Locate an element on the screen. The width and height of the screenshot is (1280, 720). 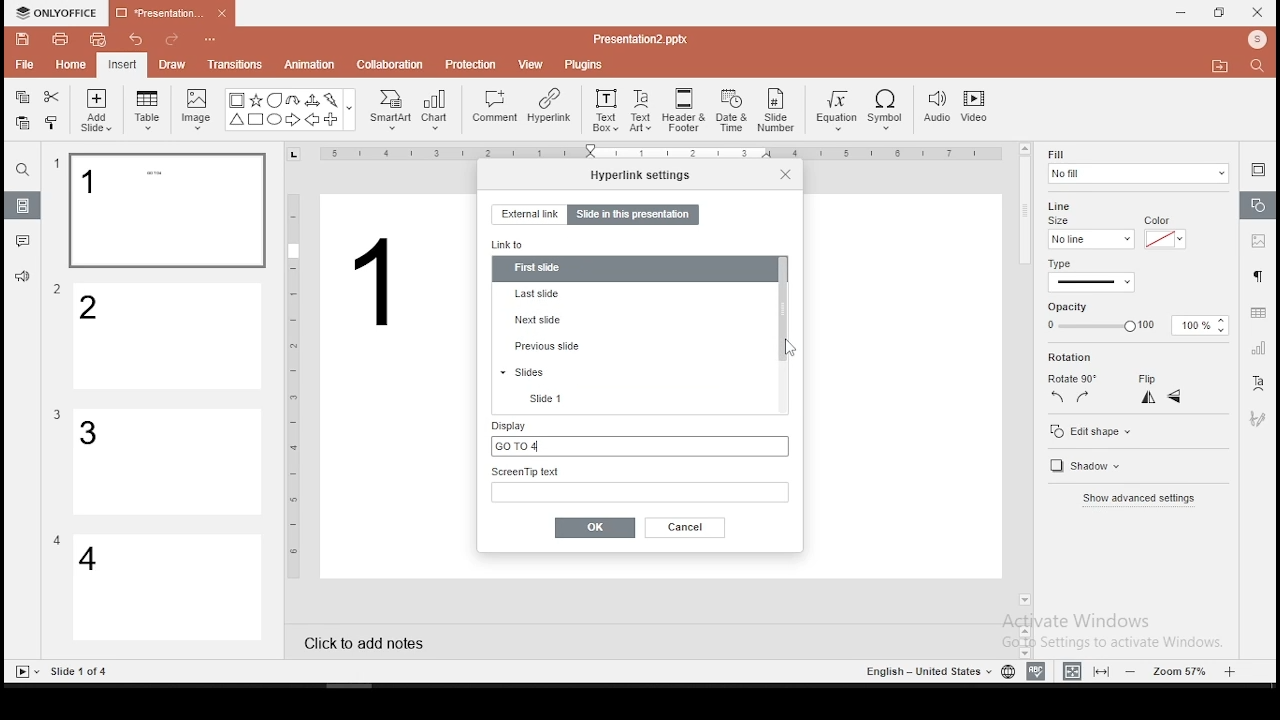
click to add notes is located at coordinates (370, 641).